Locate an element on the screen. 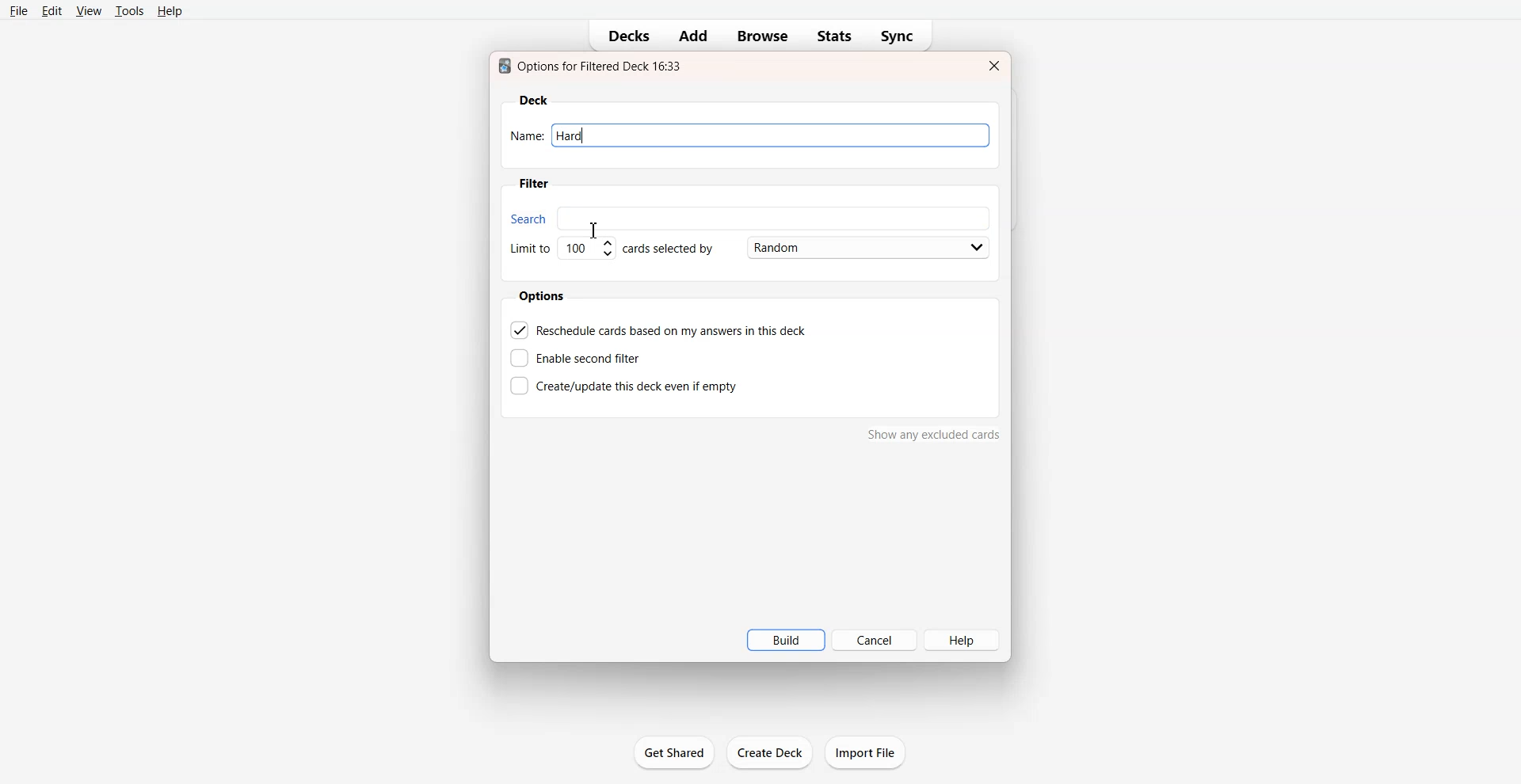  Enable second filter is located at coordinates (581, 358).